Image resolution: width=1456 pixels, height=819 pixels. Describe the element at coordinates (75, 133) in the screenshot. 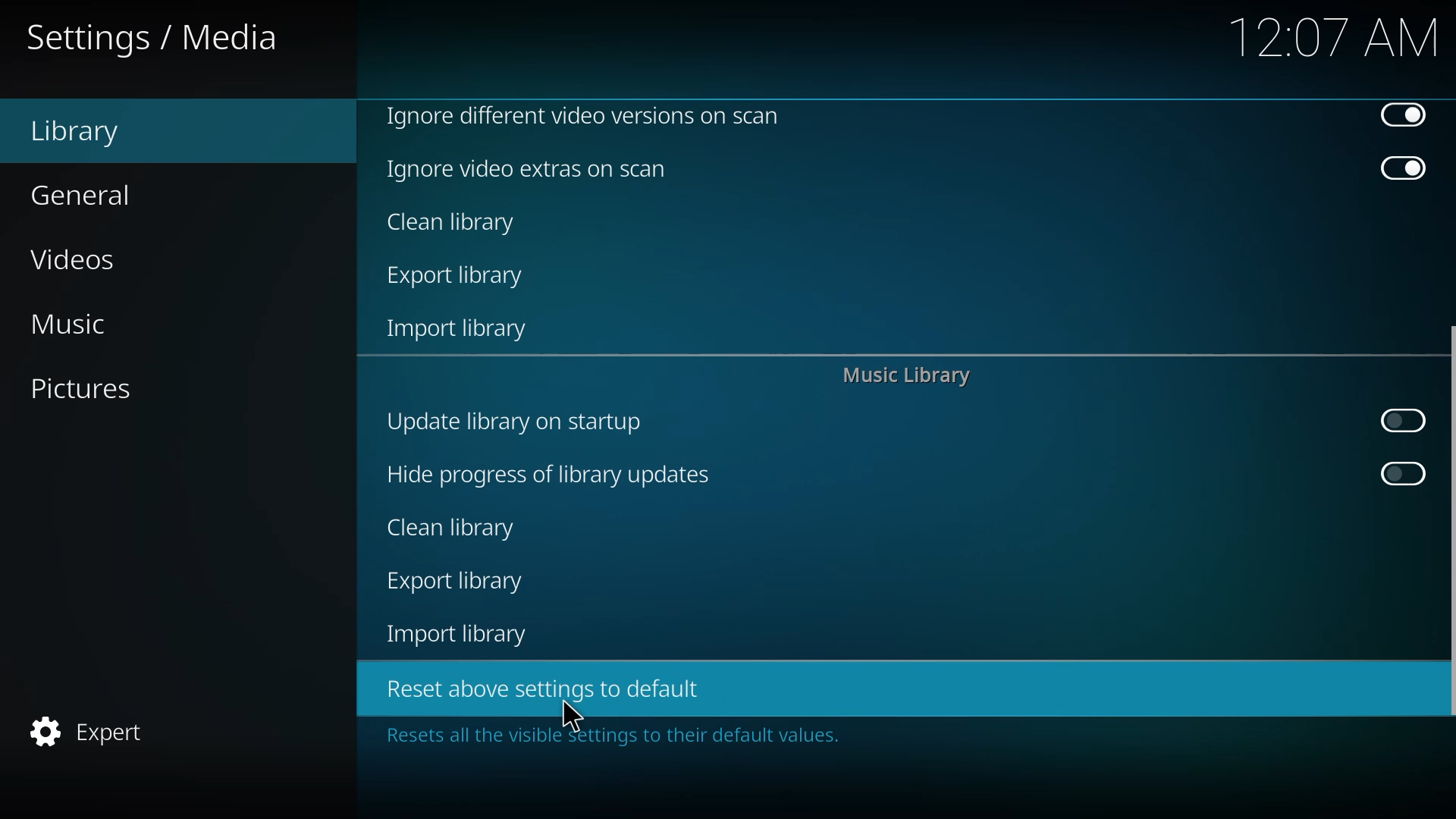

I see `library` at that location.